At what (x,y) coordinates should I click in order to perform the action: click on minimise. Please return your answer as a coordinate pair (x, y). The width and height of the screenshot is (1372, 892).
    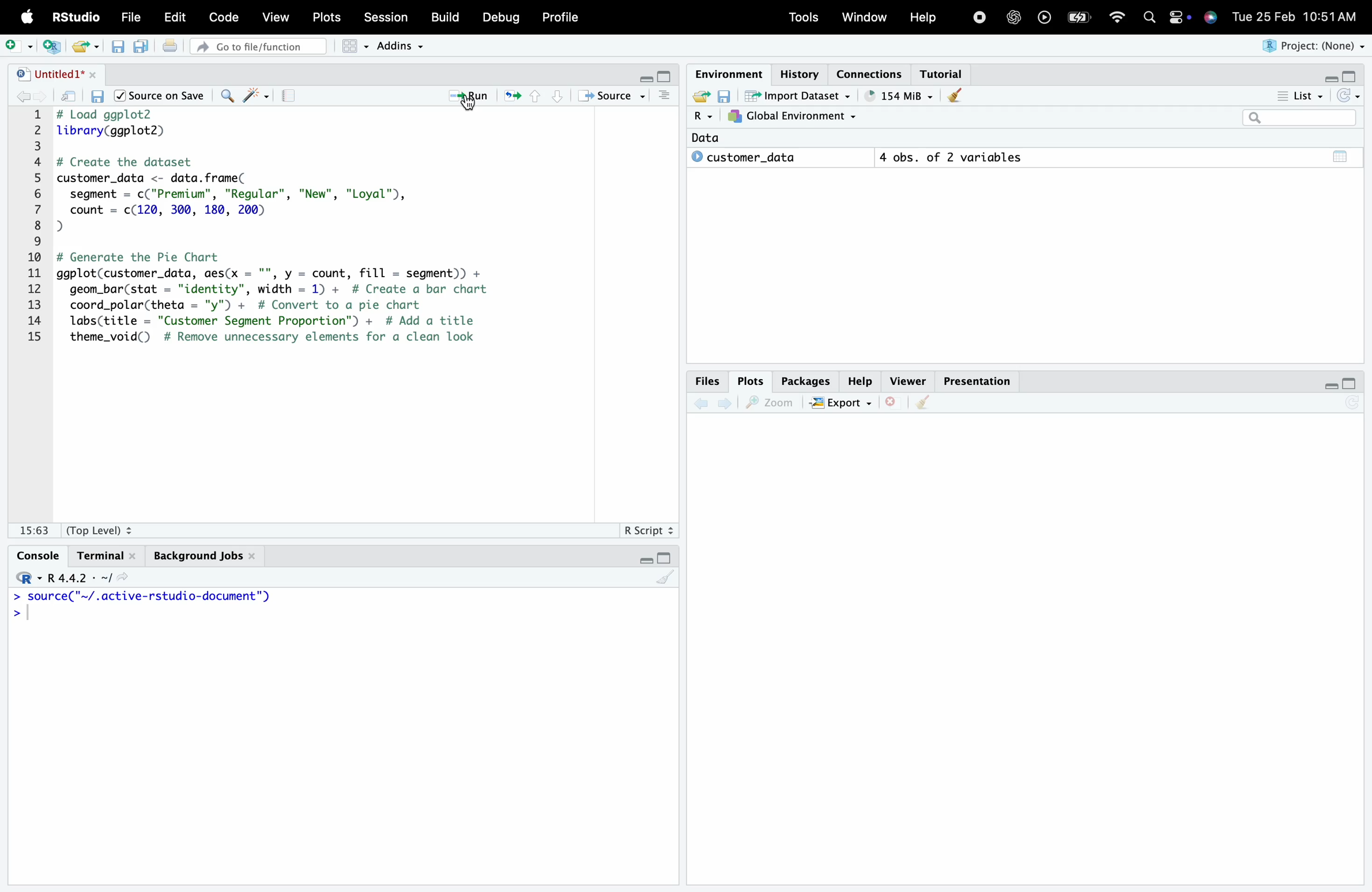
    Looking at the image, I should click on (640, 74).